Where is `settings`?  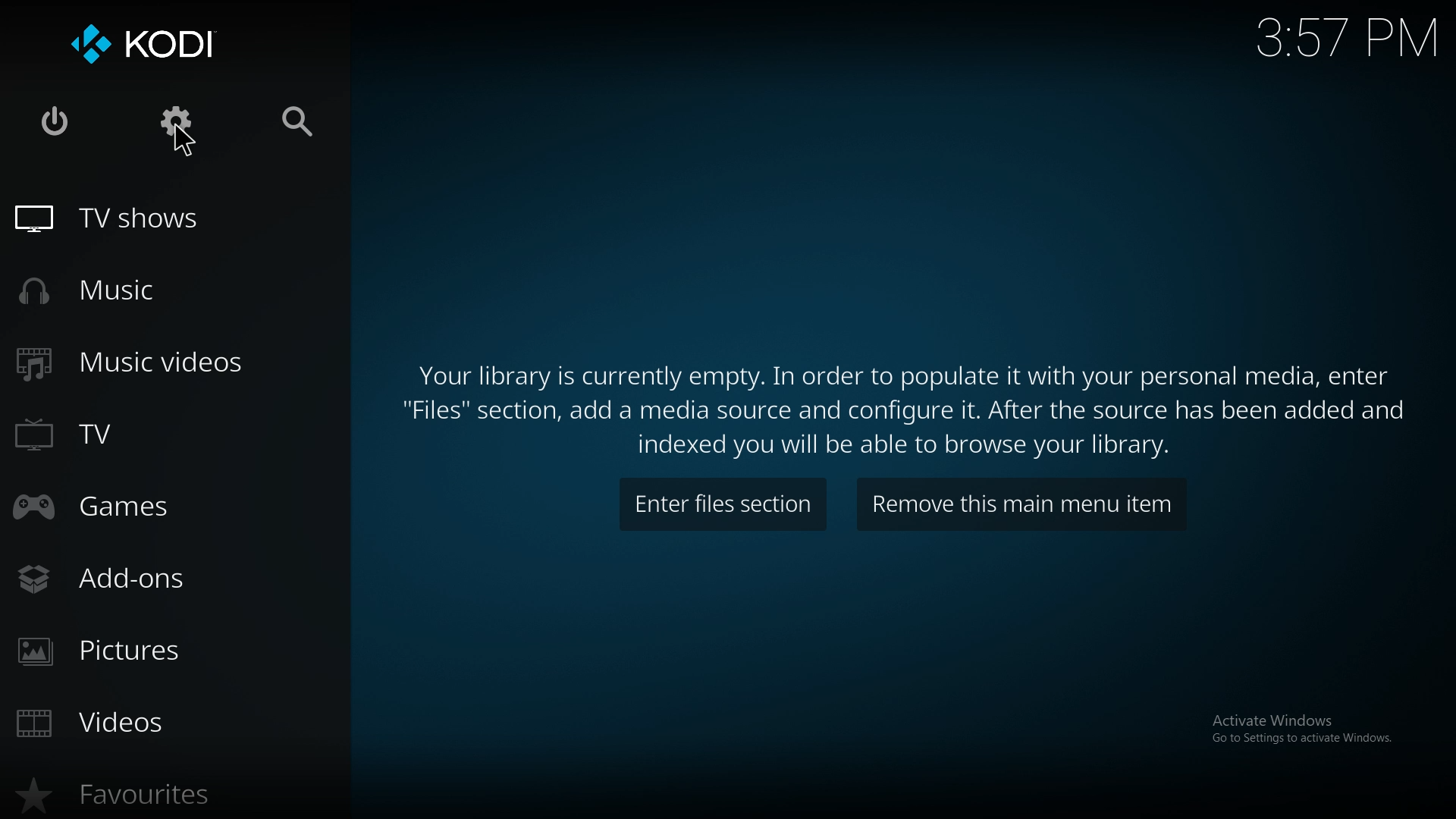 settings is located at coordinates (193, 114).